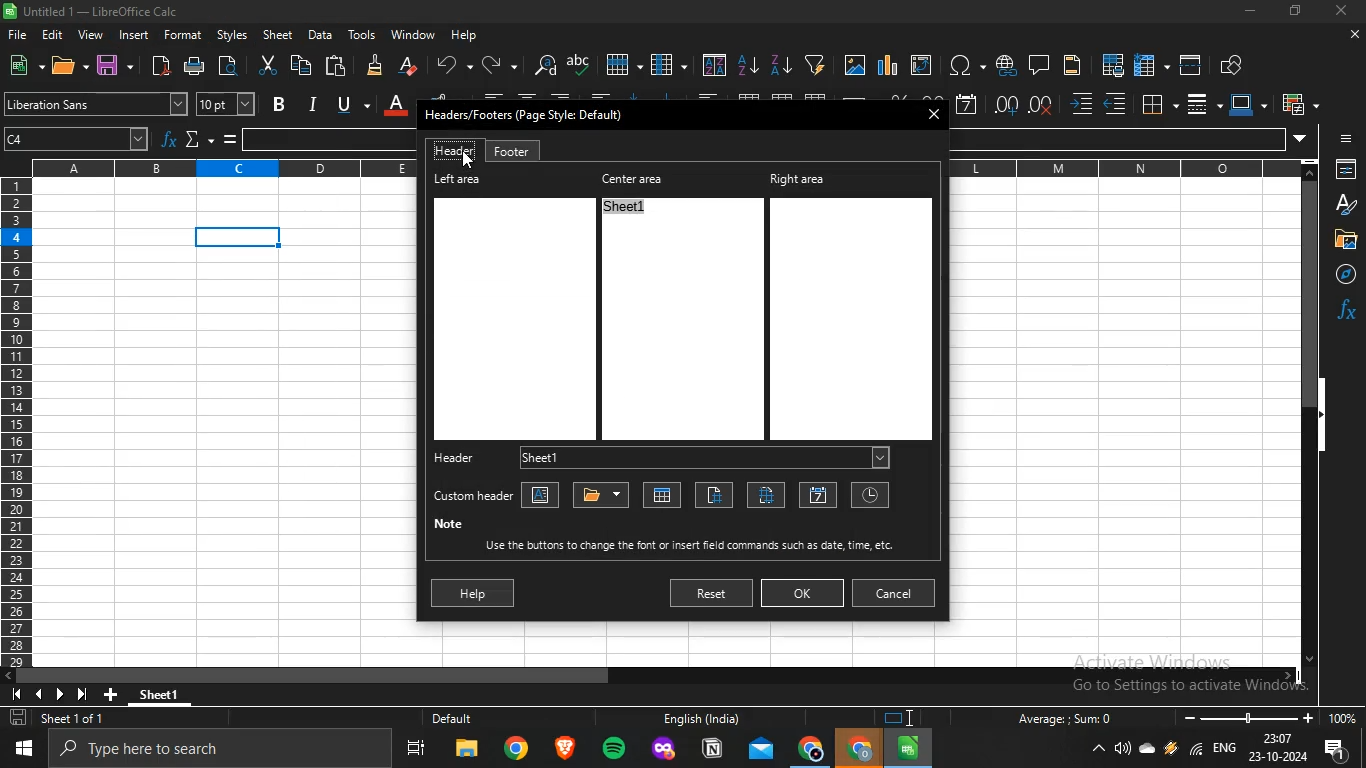 The width and height of the screenshot is (1366, 768). Describe the element at coordinates (231, 36) in the screenshot. I see `styles` at that location.